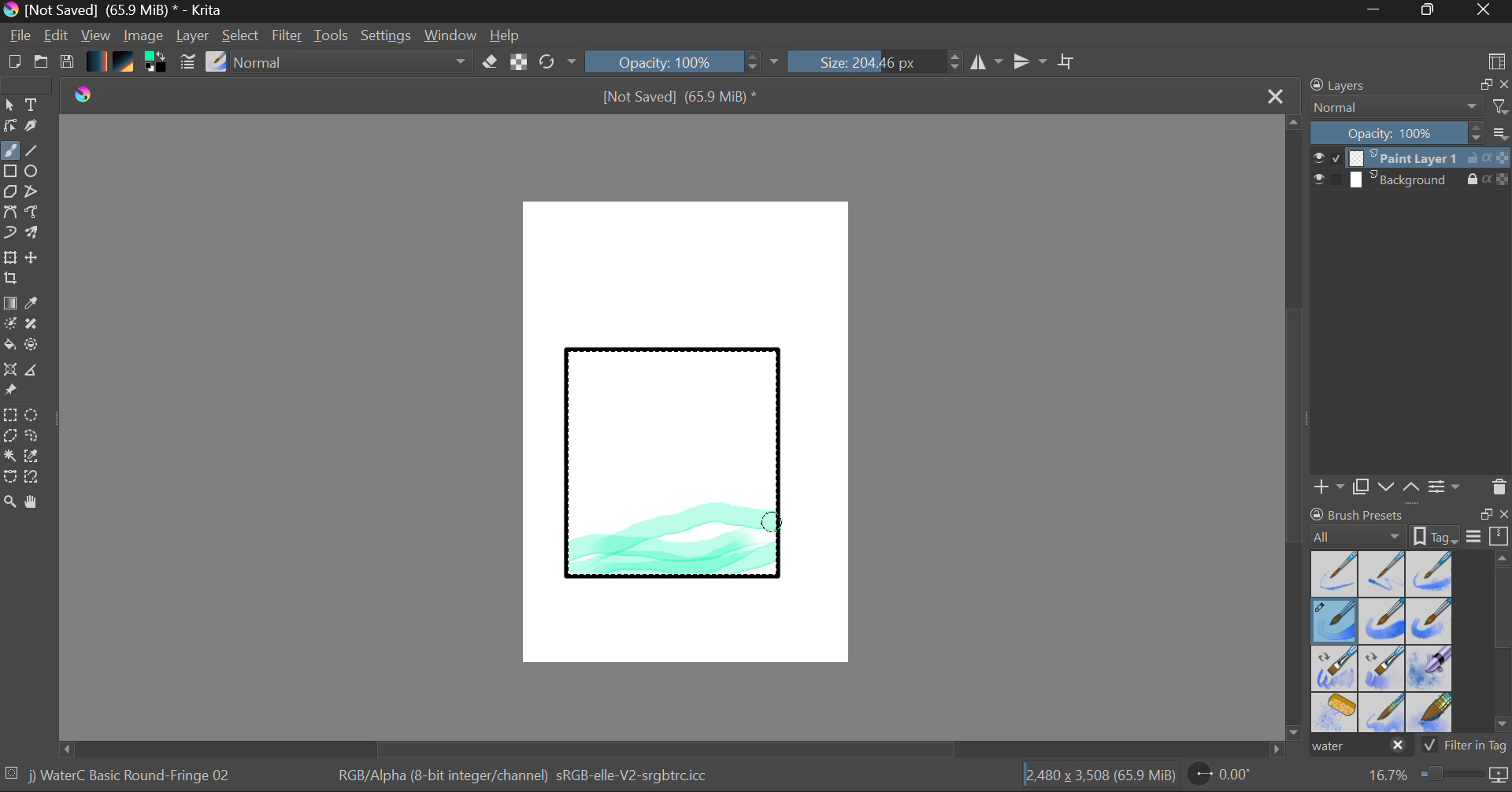 The height and width of the screenshot is (792, 1512). I want to click on Colorize Mask Tool, so click(11, 325).